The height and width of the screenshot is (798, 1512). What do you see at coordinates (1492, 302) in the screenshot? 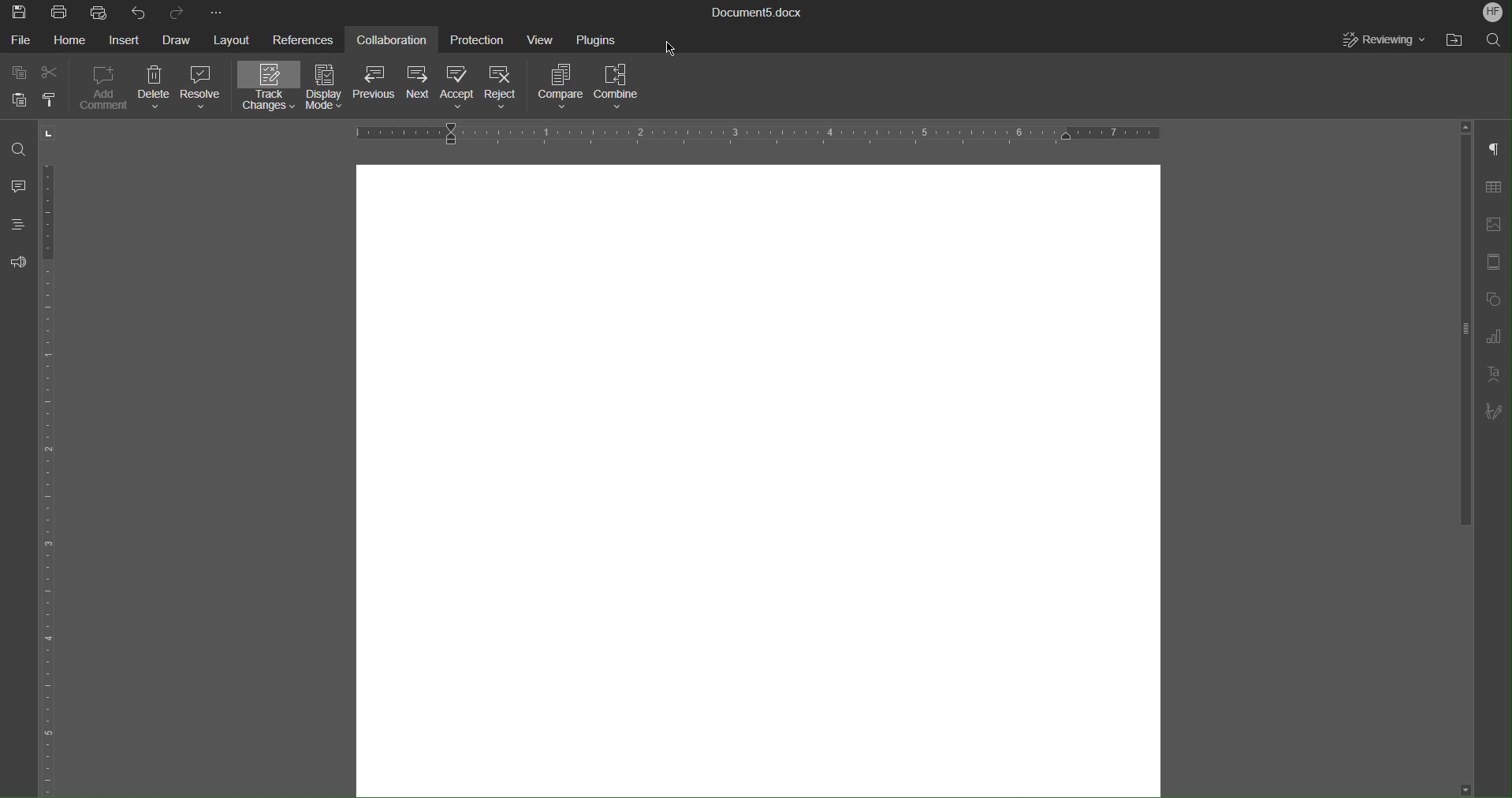
I see `Shape Settings` at bounding box center [1492, 302].